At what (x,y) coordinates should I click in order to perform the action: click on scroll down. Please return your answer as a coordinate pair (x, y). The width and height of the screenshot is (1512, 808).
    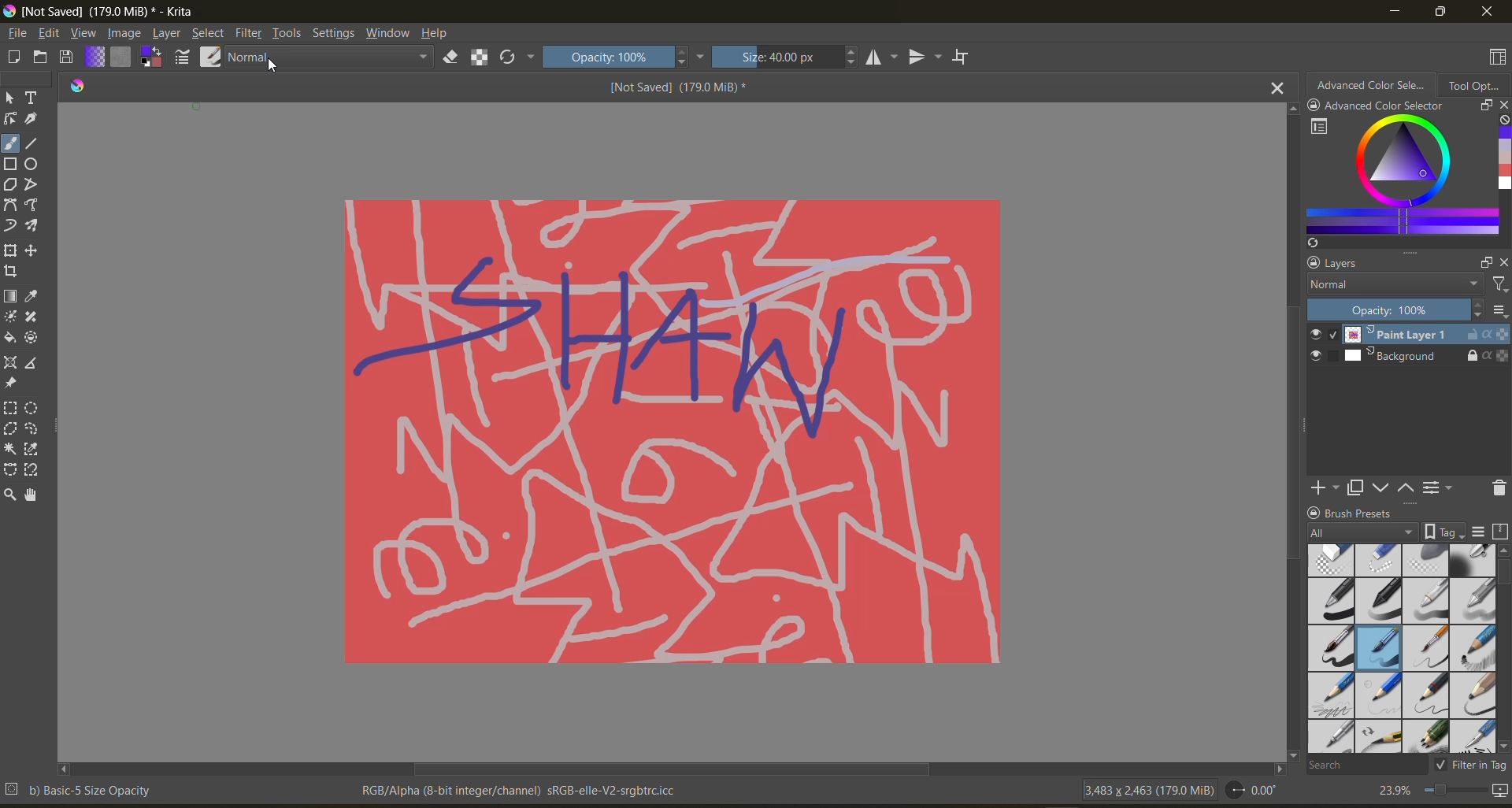
    Looking at the image, I should click on (1503, 748).